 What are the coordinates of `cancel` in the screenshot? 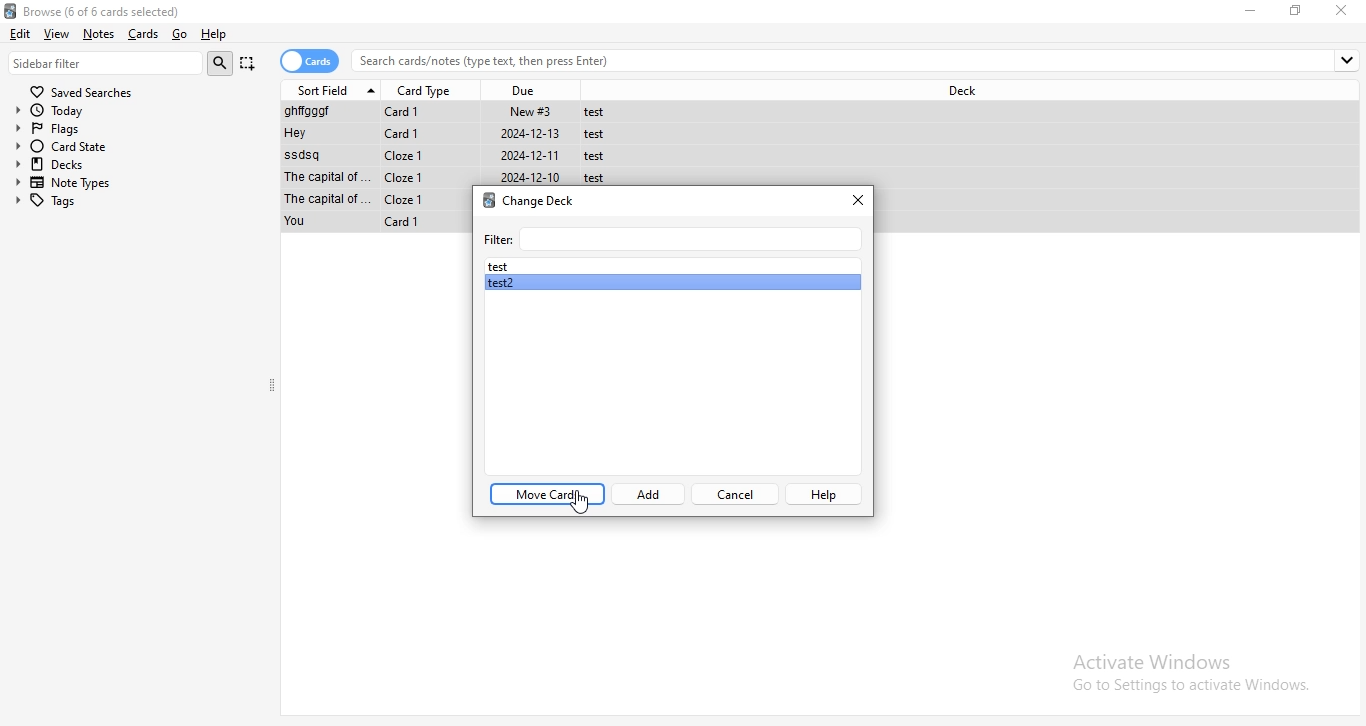 It's located at (735, 494).